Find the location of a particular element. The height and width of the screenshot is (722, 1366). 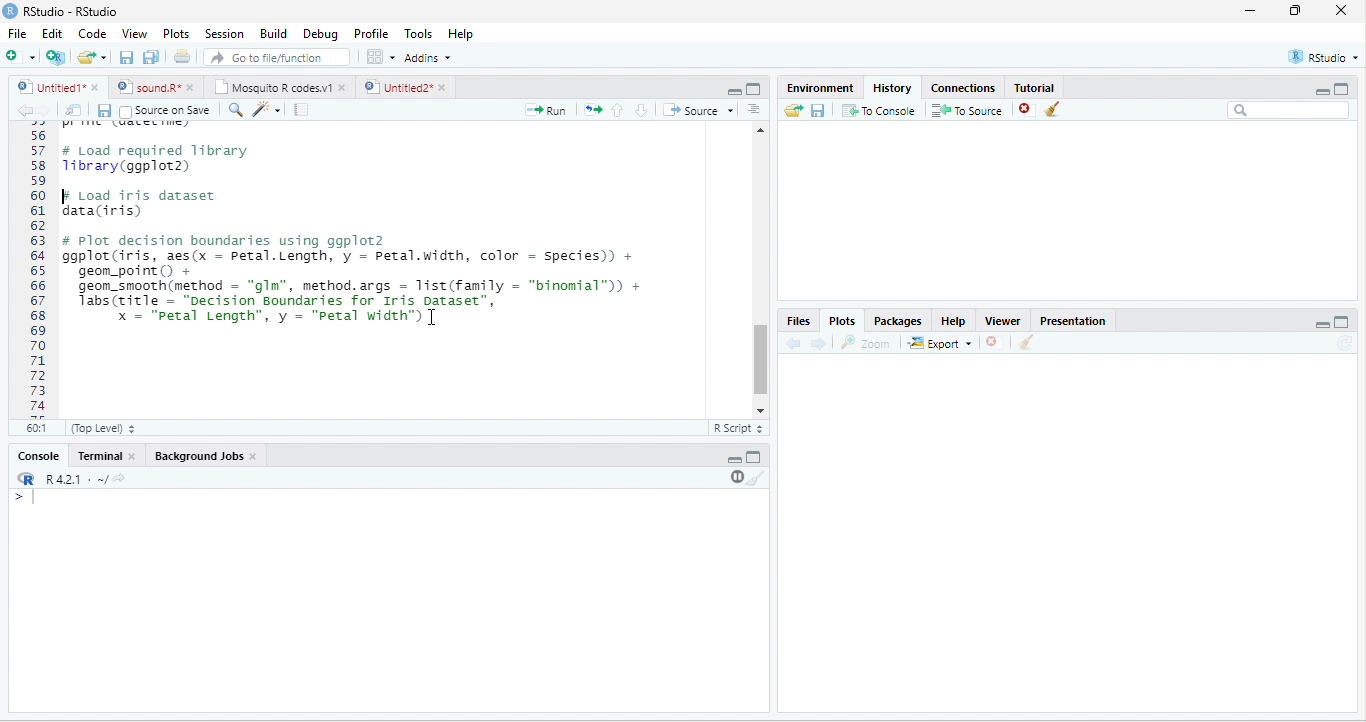

60:1 is located at coordinates (38, 427).